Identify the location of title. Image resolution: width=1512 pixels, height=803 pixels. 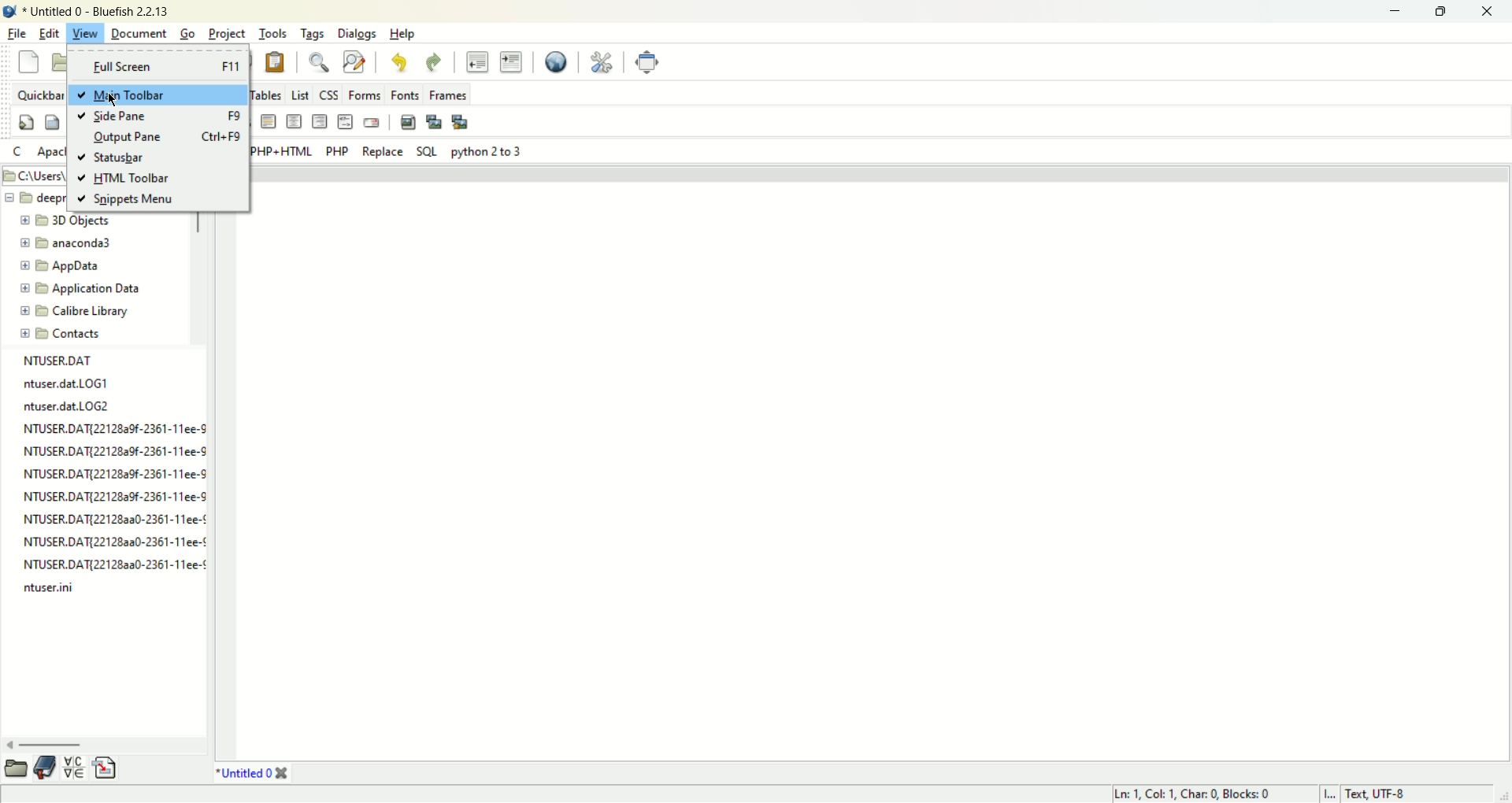
(97, 13).